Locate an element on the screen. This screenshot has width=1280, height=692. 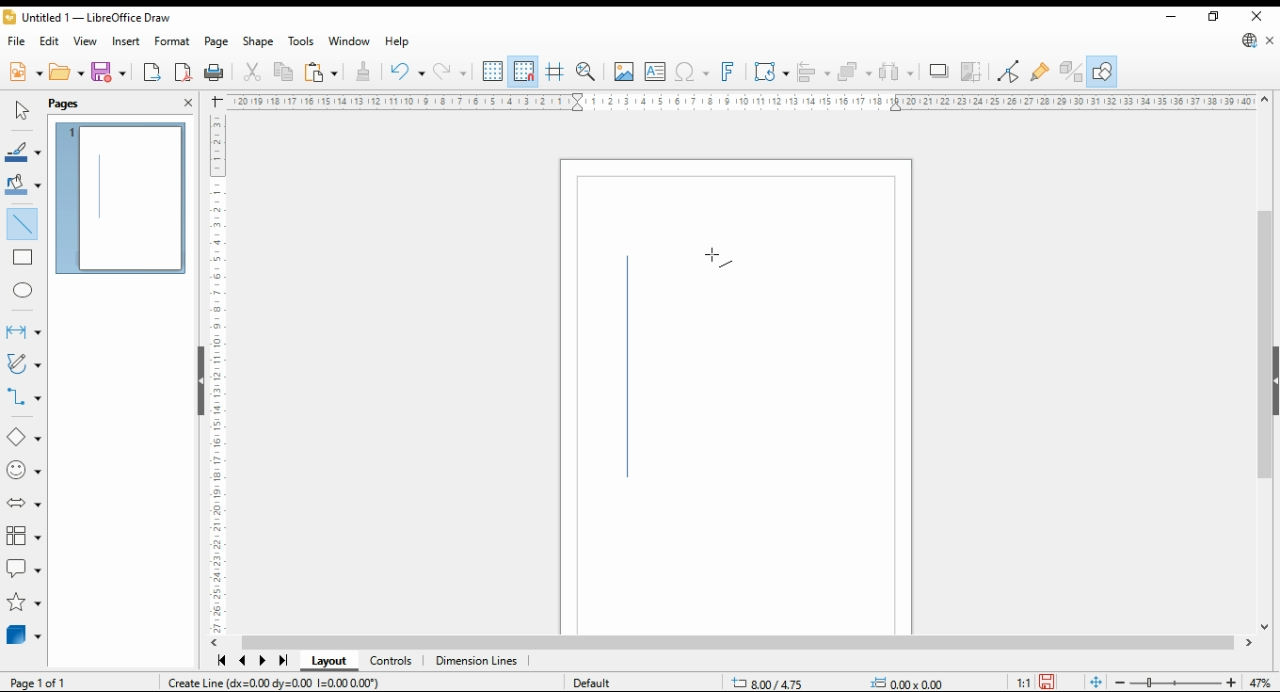
stars and banners is located at coordinates (23, 604).